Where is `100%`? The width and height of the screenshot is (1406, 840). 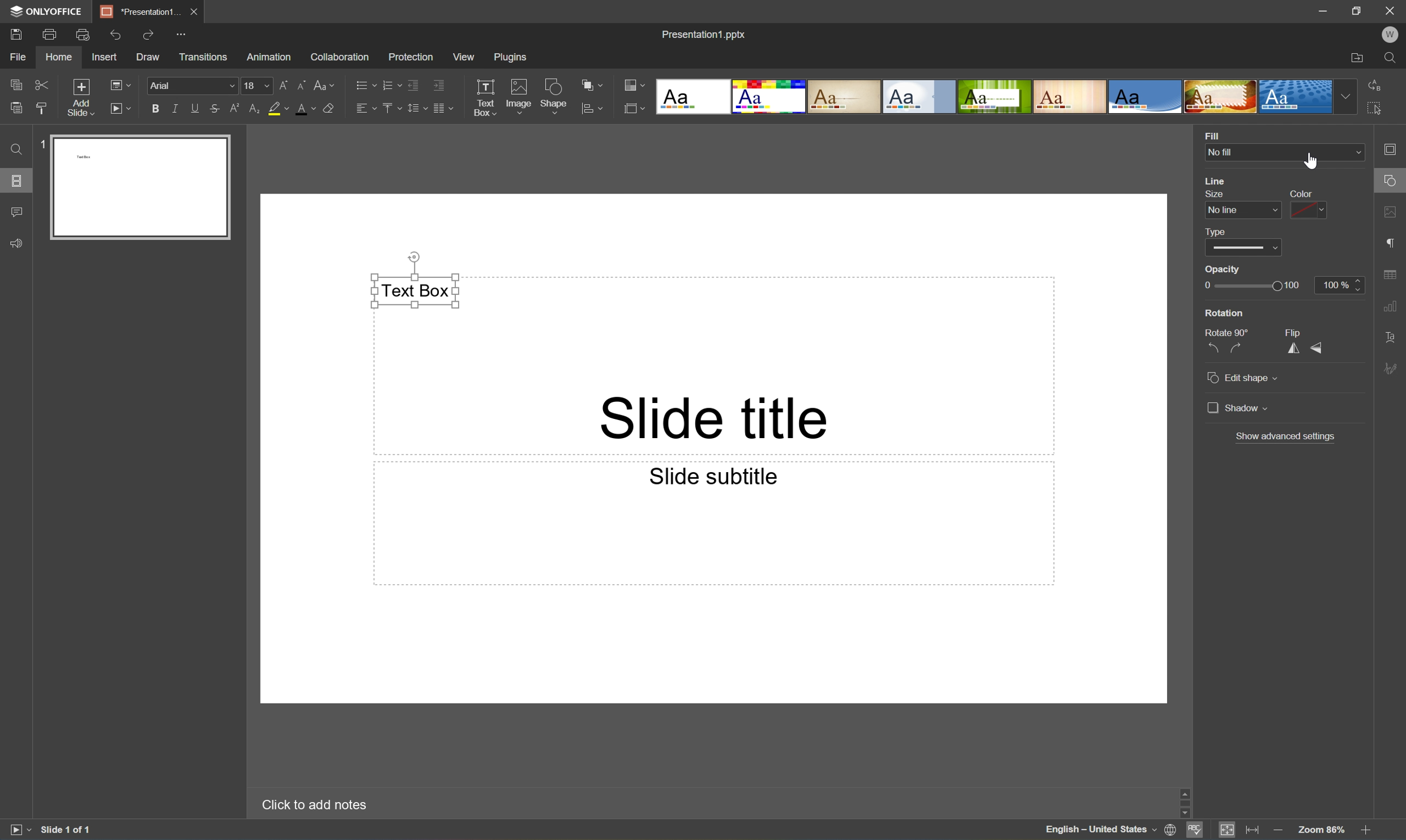 100% is located at coordinates (1344, 286).